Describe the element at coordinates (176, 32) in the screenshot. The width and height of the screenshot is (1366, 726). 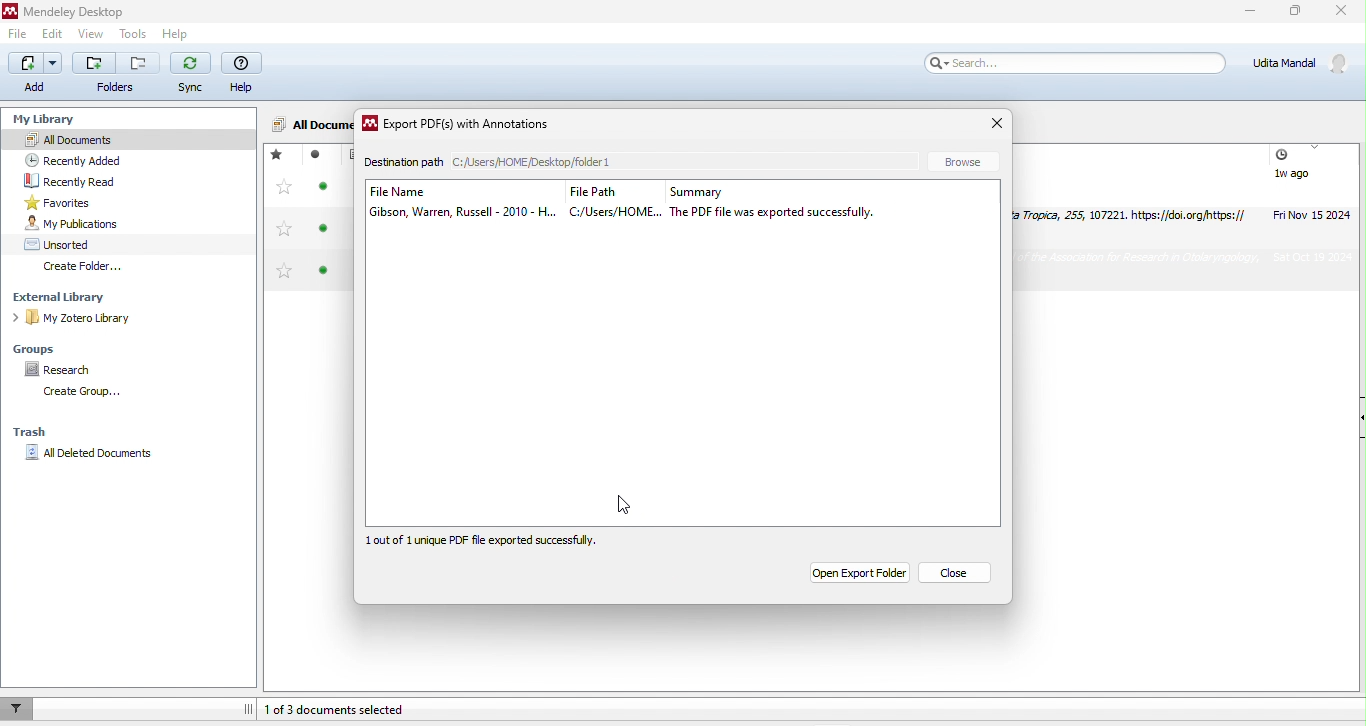
I see `help` at that location.